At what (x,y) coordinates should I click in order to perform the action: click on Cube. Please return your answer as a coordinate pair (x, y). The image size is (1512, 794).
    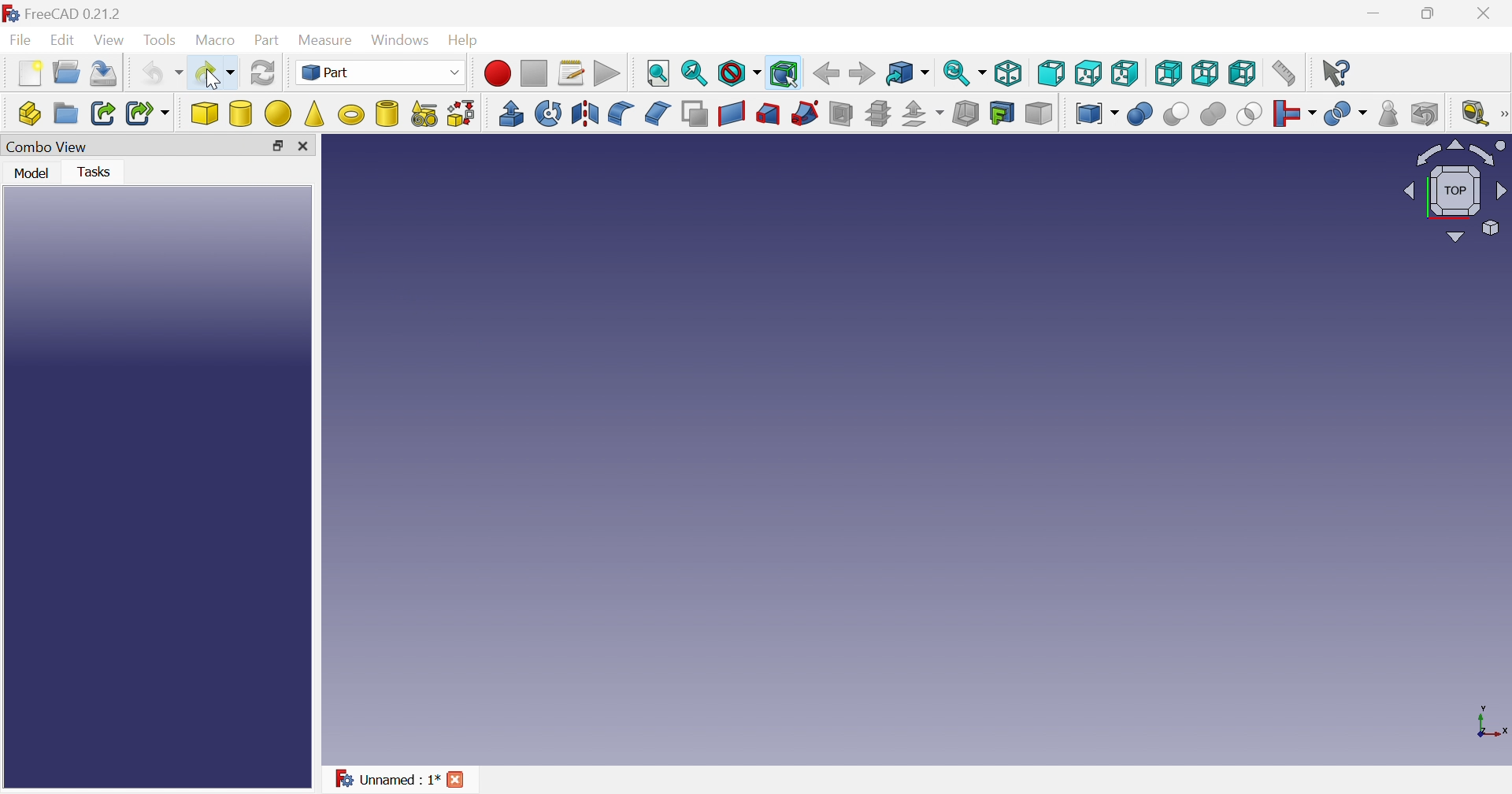
    Looking at the image, I should click on (202, 114).